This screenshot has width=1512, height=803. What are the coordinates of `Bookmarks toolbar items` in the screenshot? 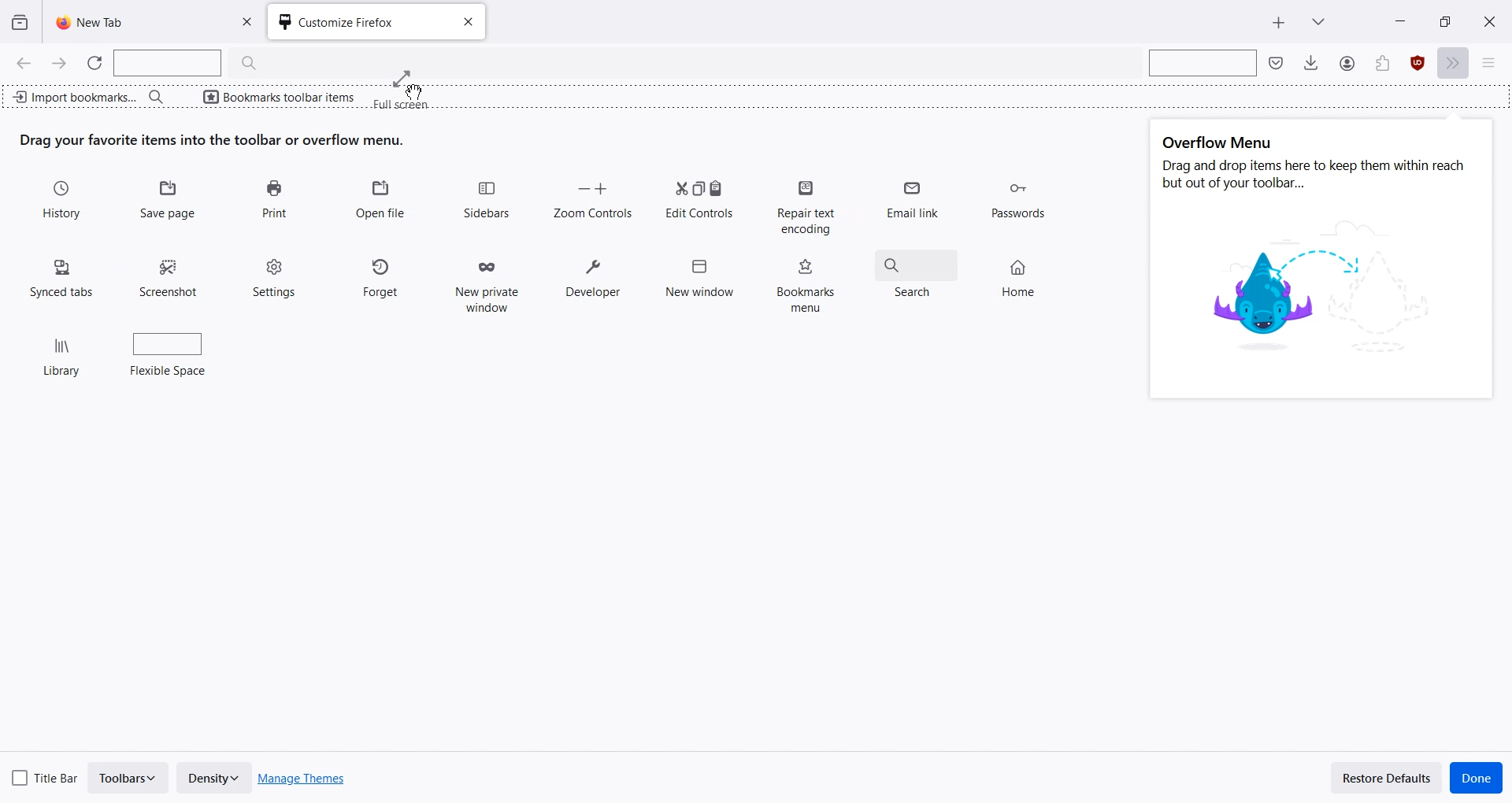 It's located at (270, 95).